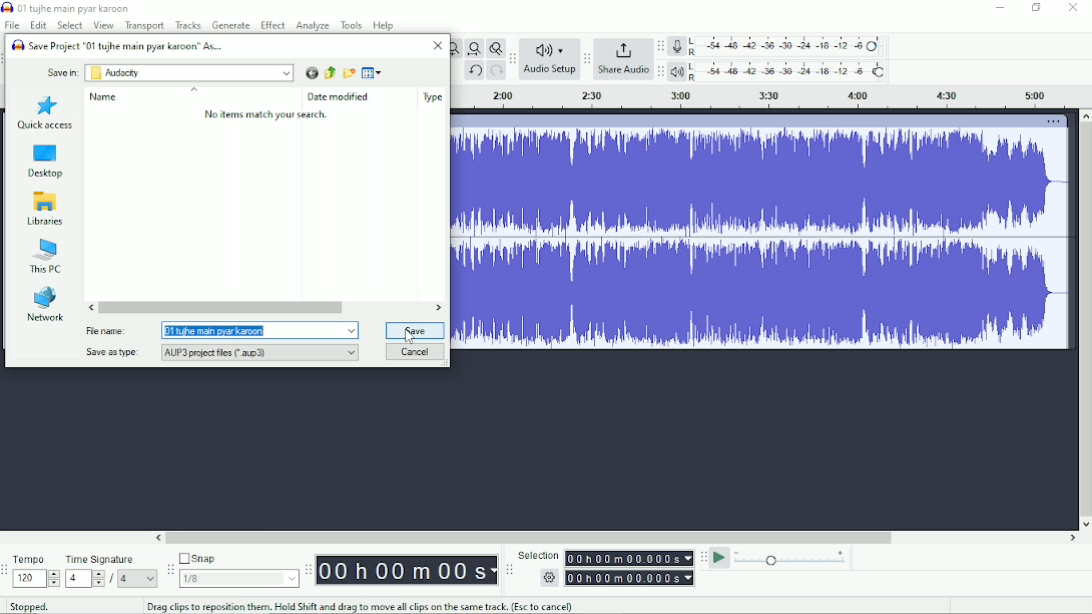 This screenshot has height=614, width=1092. I want to click on Record meter, so click(778, 46).